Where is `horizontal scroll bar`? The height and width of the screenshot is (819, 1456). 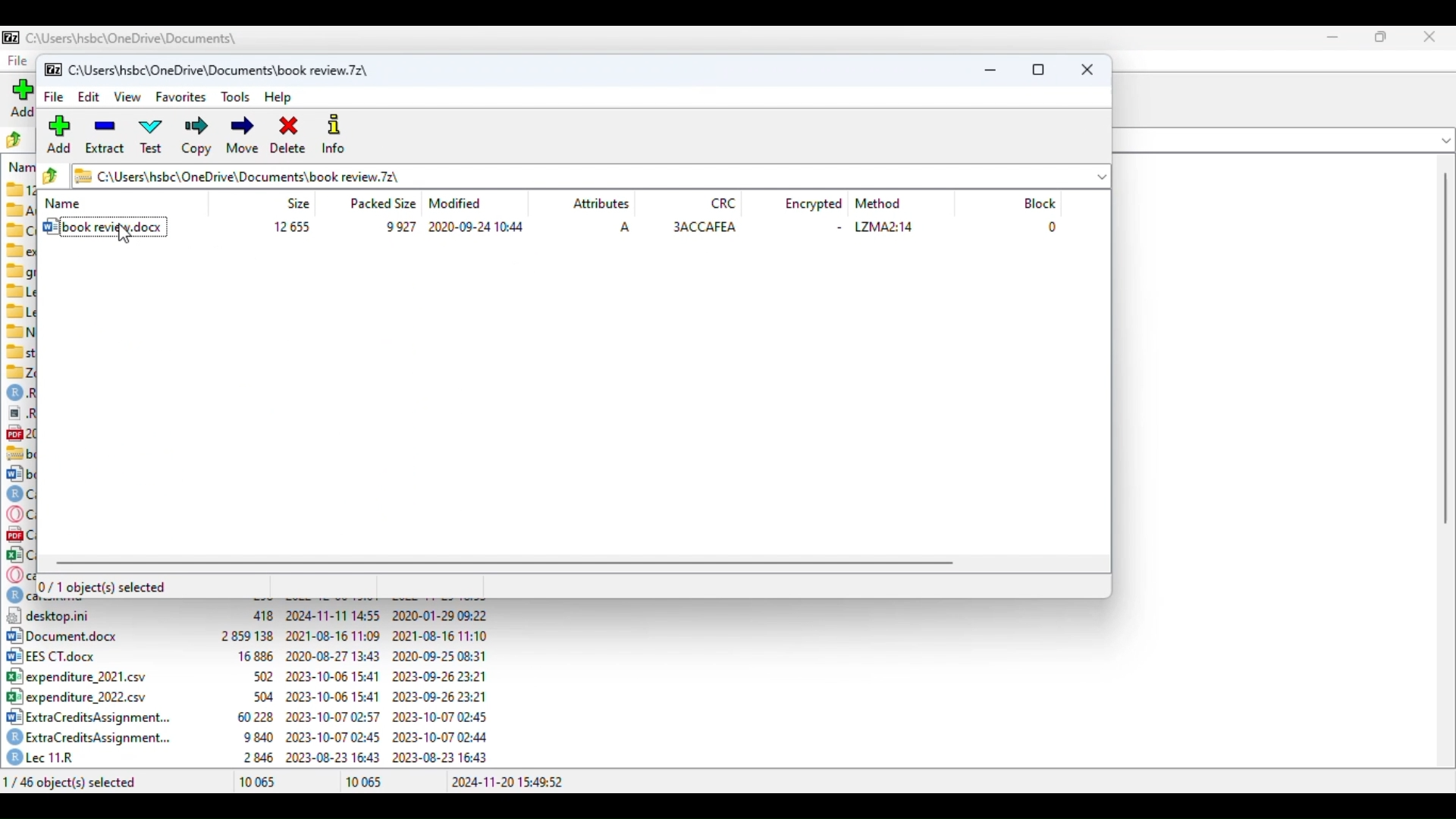 horizontal scroll bar is located at coordinates (504, 563).